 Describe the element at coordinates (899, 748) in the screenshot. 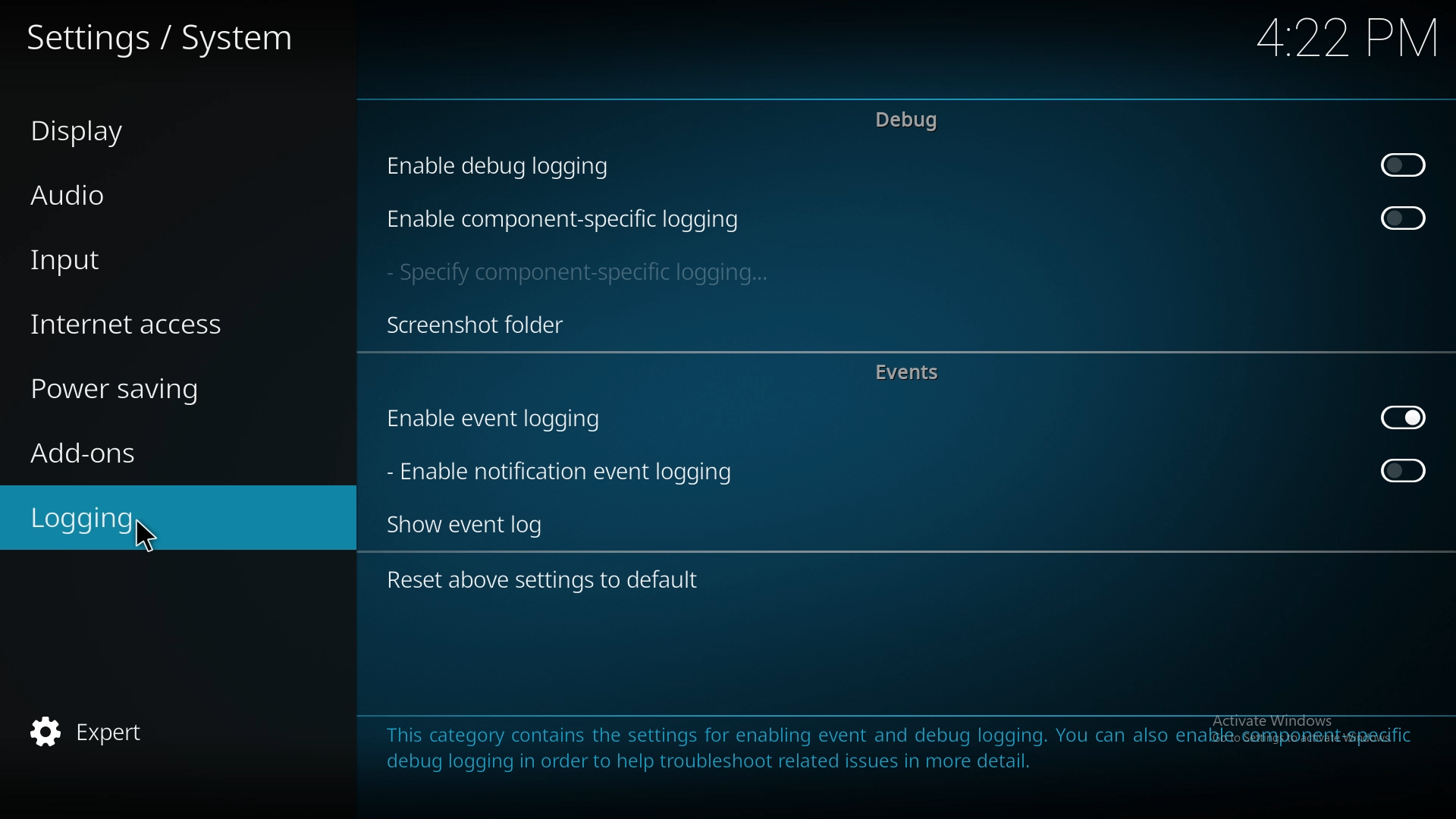

I see `info` at that location.